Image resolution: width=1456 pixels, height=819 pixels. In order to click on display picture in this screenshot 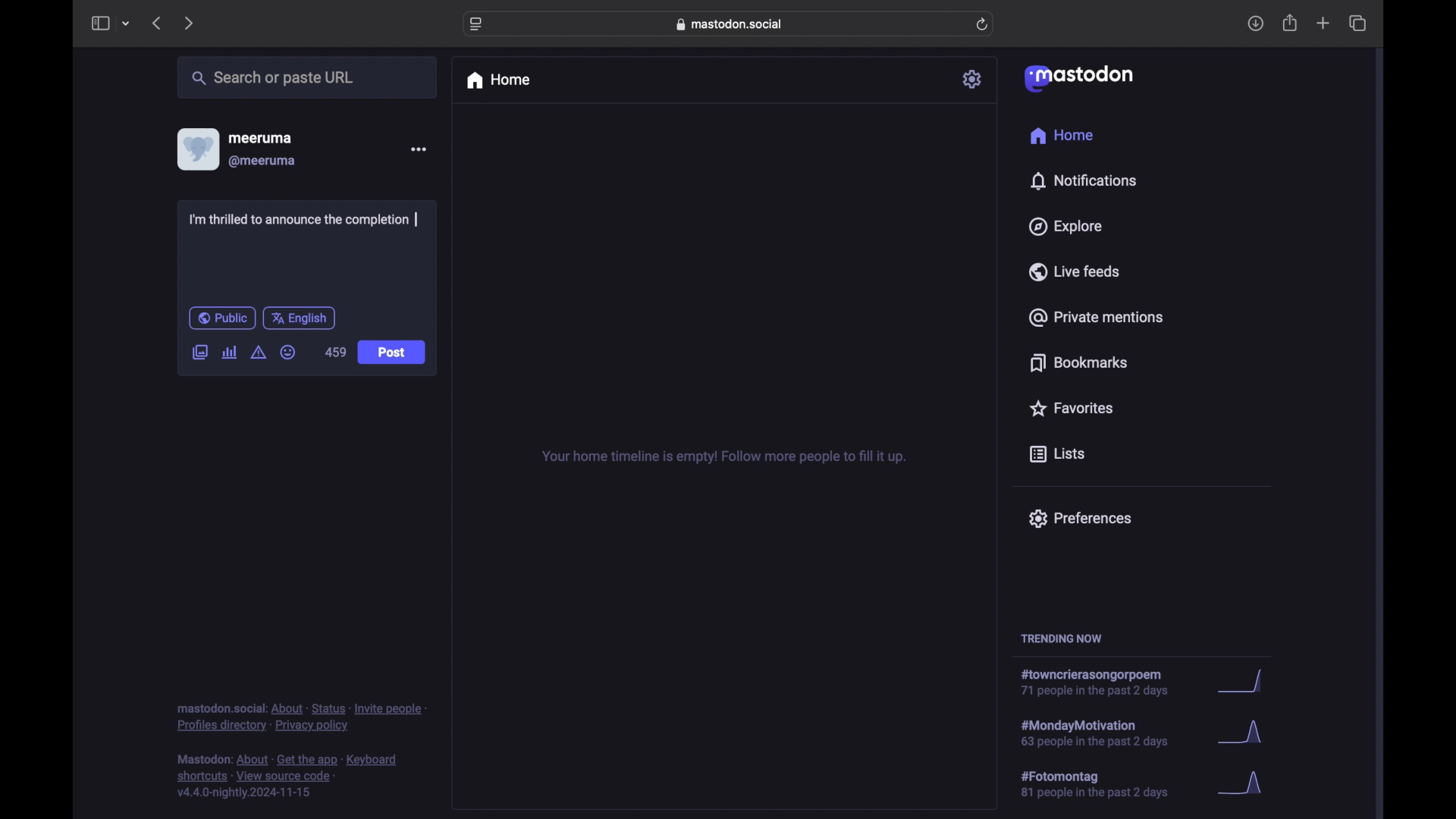, I will do `click(196, 149)`.